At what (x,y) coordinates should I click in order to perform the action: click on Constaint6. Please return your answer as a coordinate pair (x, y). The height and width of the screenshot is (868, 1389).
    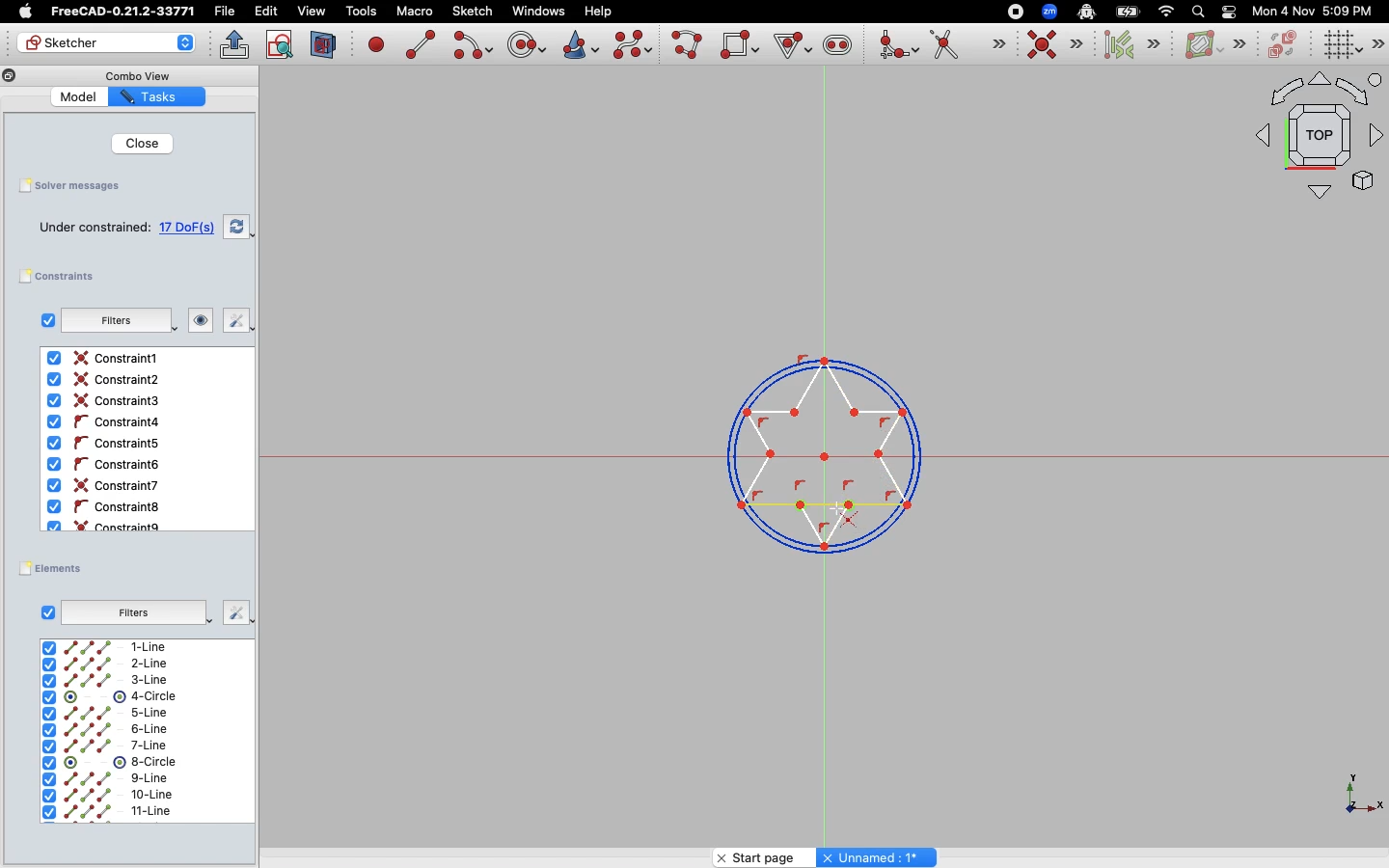
    Looking at the image, I should click on (107, 465).